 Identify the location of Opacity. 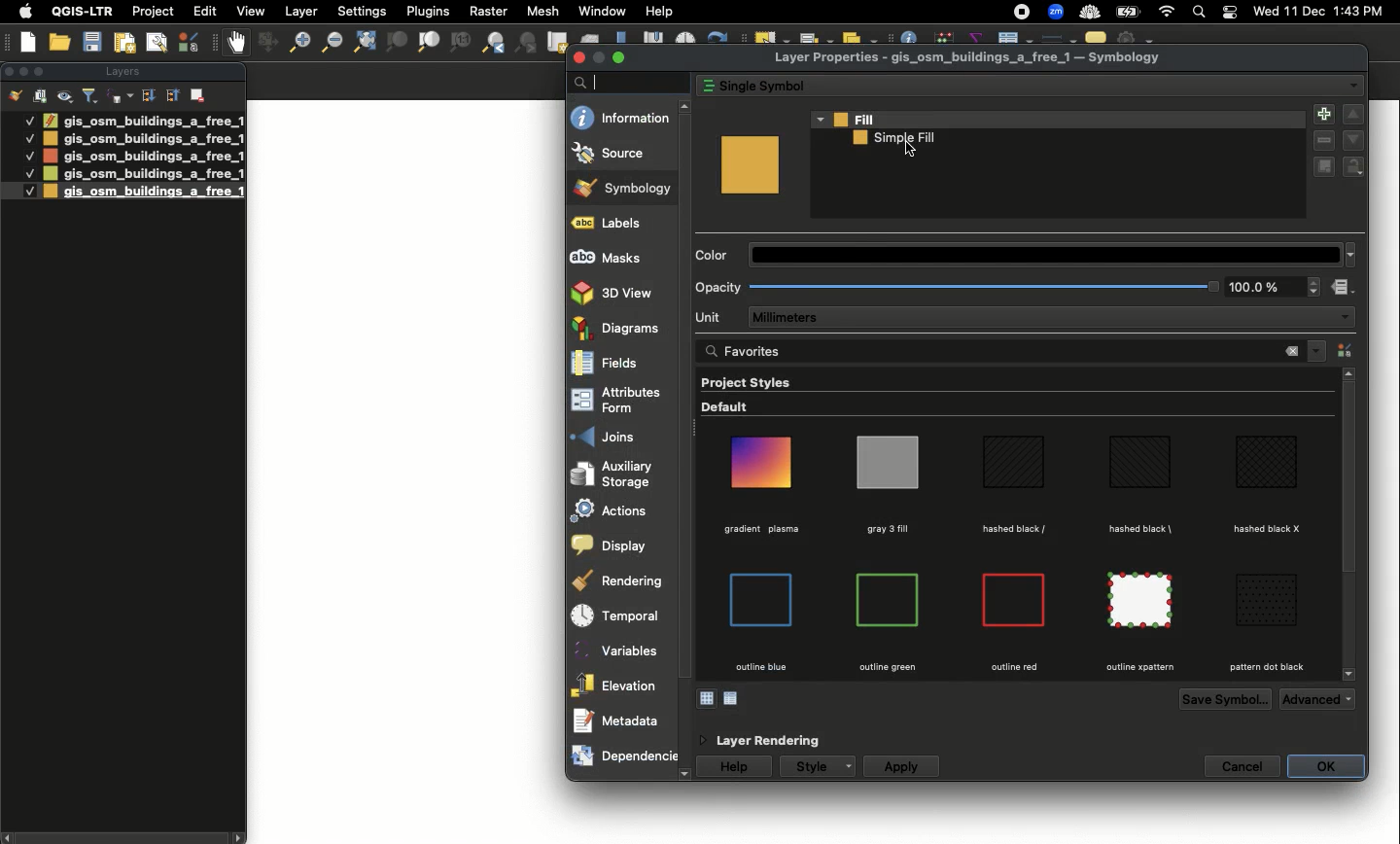
(960, 287).